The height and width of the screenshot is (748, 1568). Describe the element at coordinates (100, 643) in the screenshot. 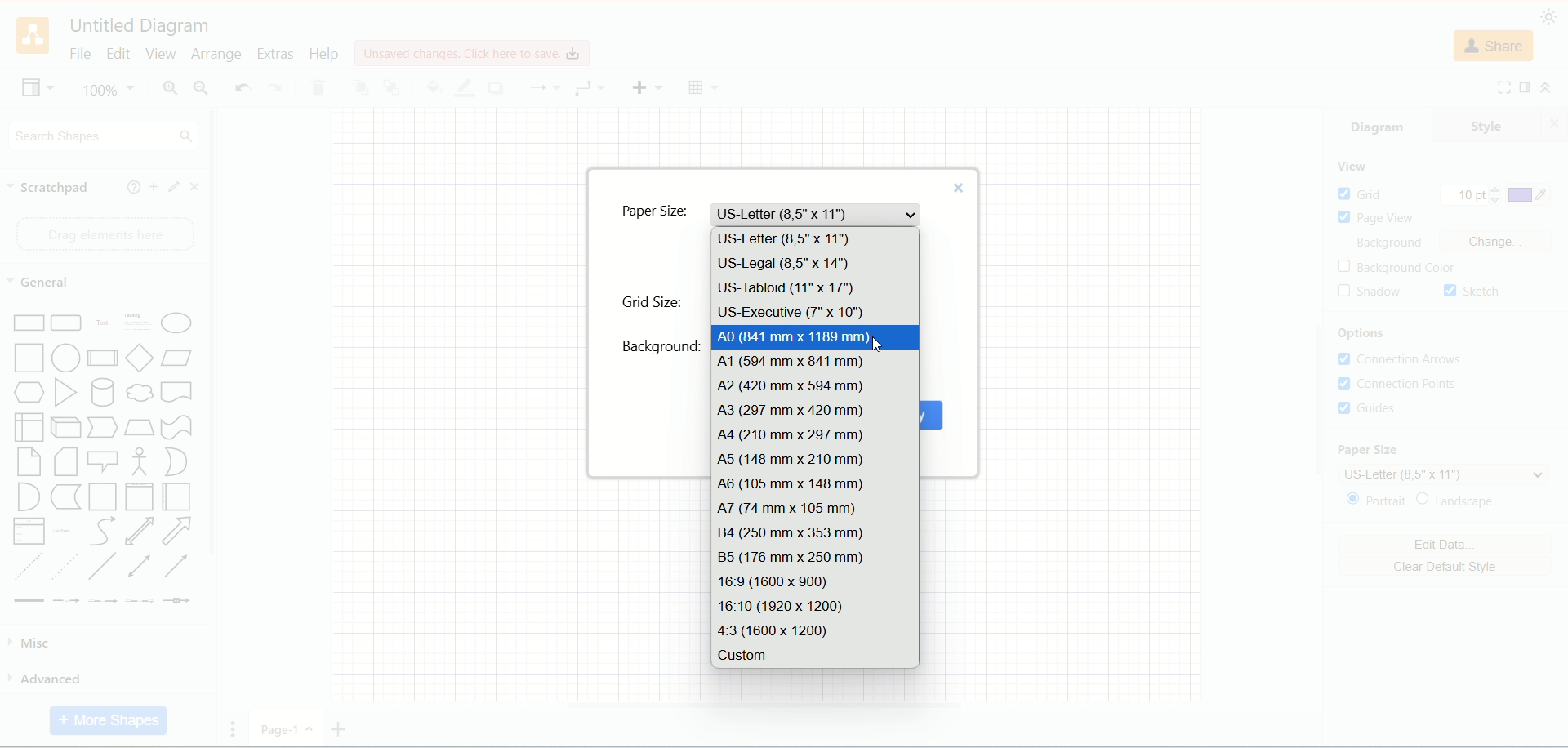

I see `misc` at that location.